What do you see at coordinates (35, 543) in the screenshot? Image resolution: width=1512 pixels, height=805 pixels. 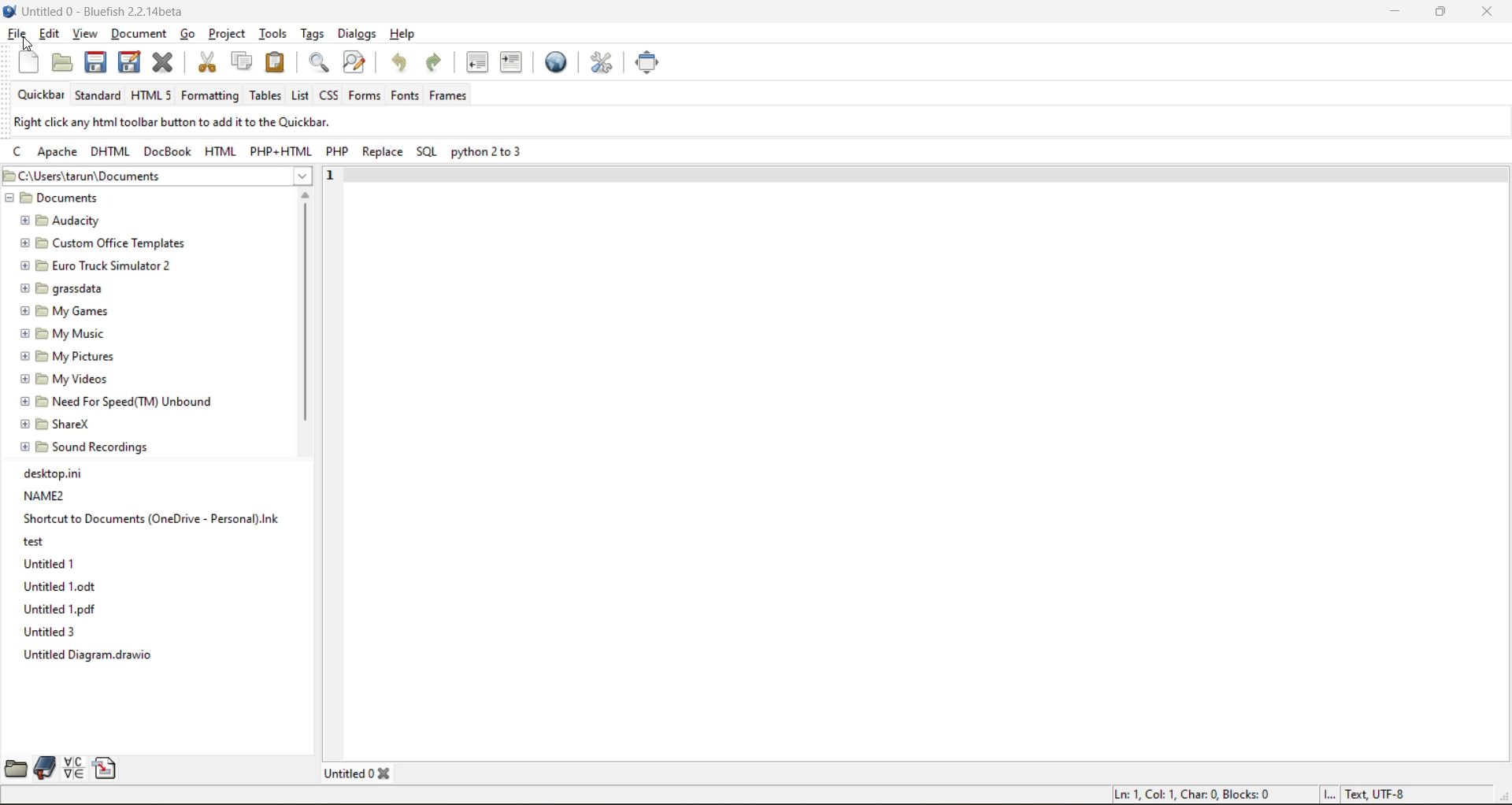 I see `test` at bounding box center [35, 543].